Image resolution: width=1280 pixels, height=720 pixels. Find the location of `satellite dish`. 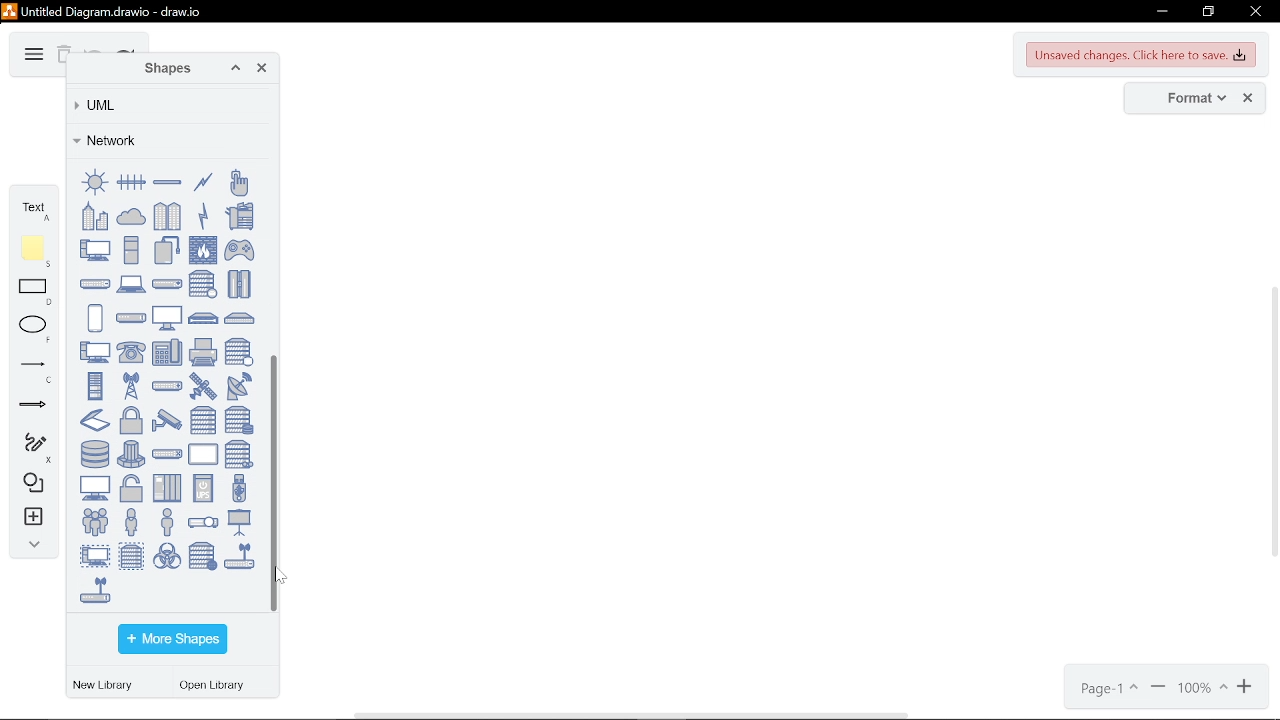

satellite dish is located at coordinates (239, 386).